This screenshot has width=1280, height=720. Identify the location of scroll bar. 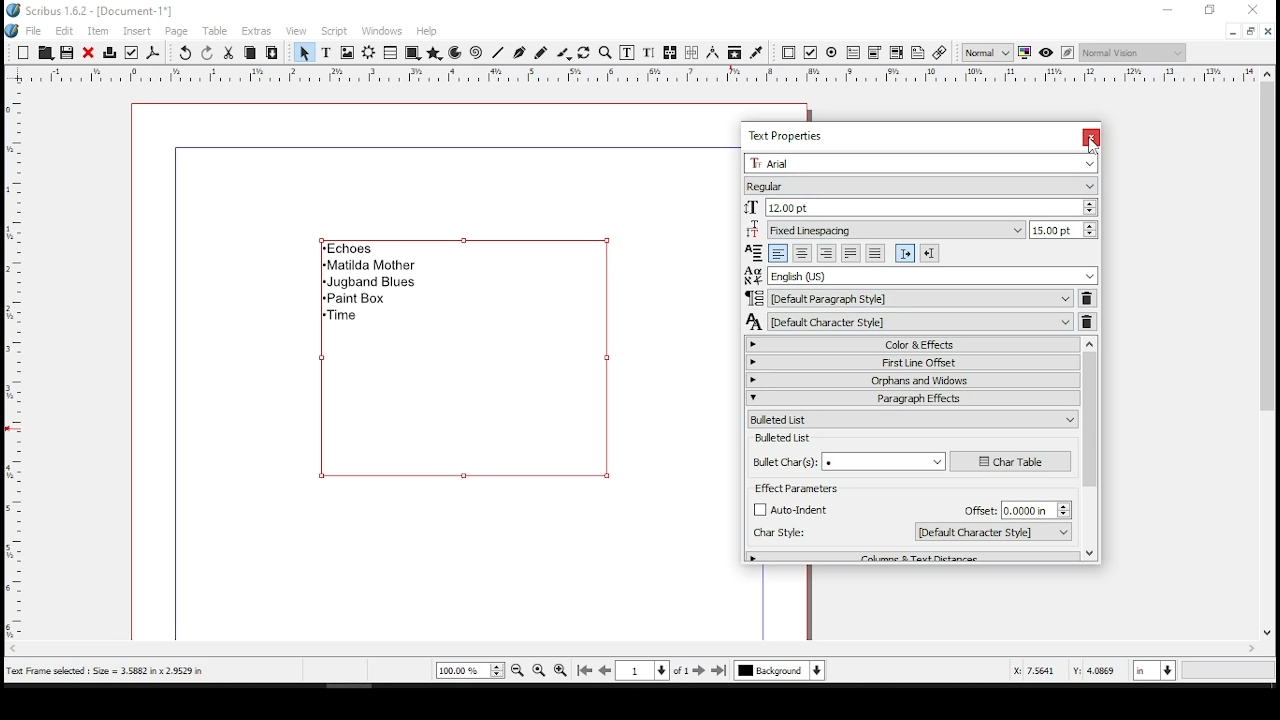
(1265, 362).